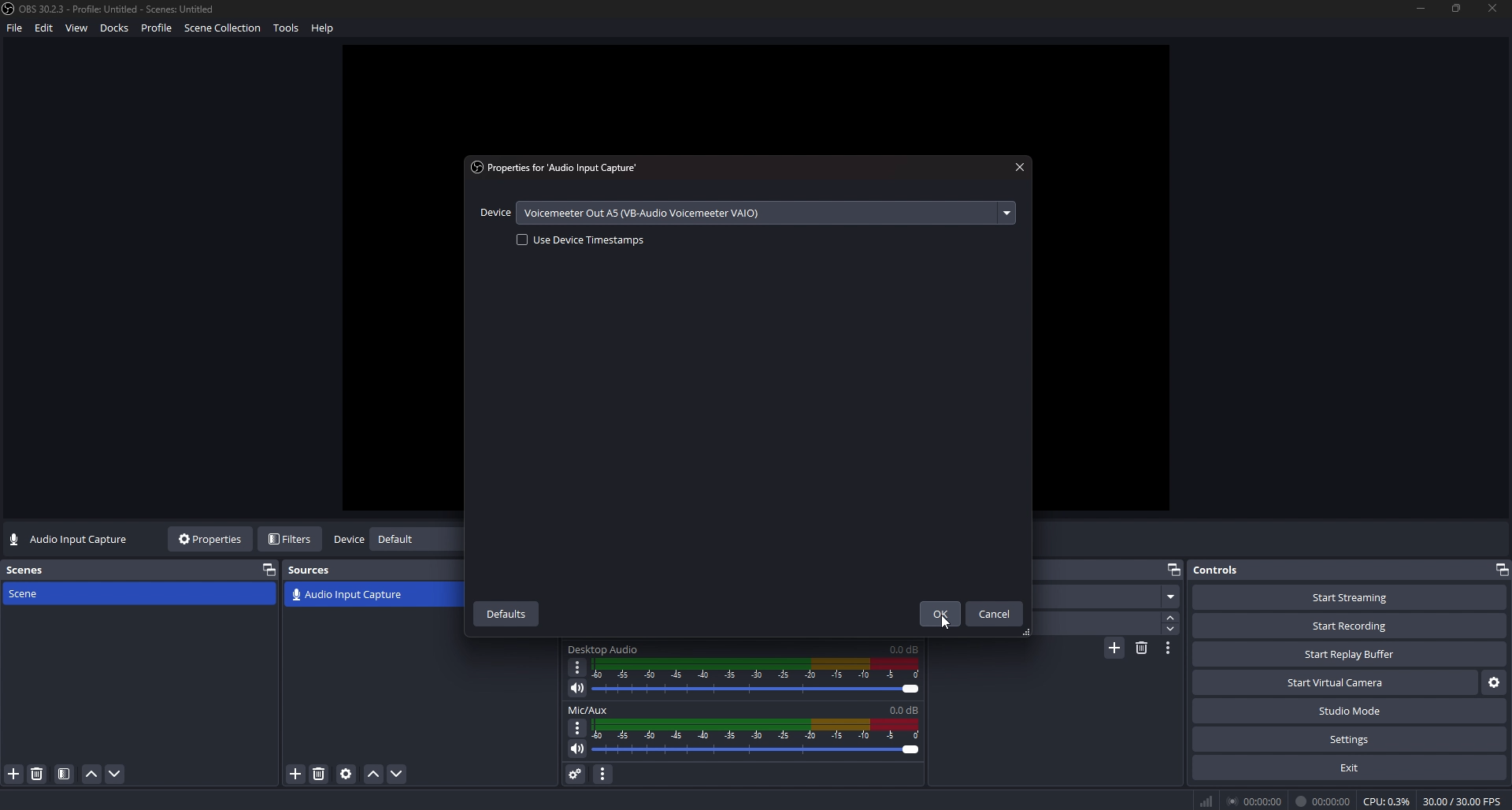 The width and height of the screenshot is (1512, 810). What do you see at coordinates (212, 539) in the screenshot?
I see `properties` at bounding box center [212, 539].